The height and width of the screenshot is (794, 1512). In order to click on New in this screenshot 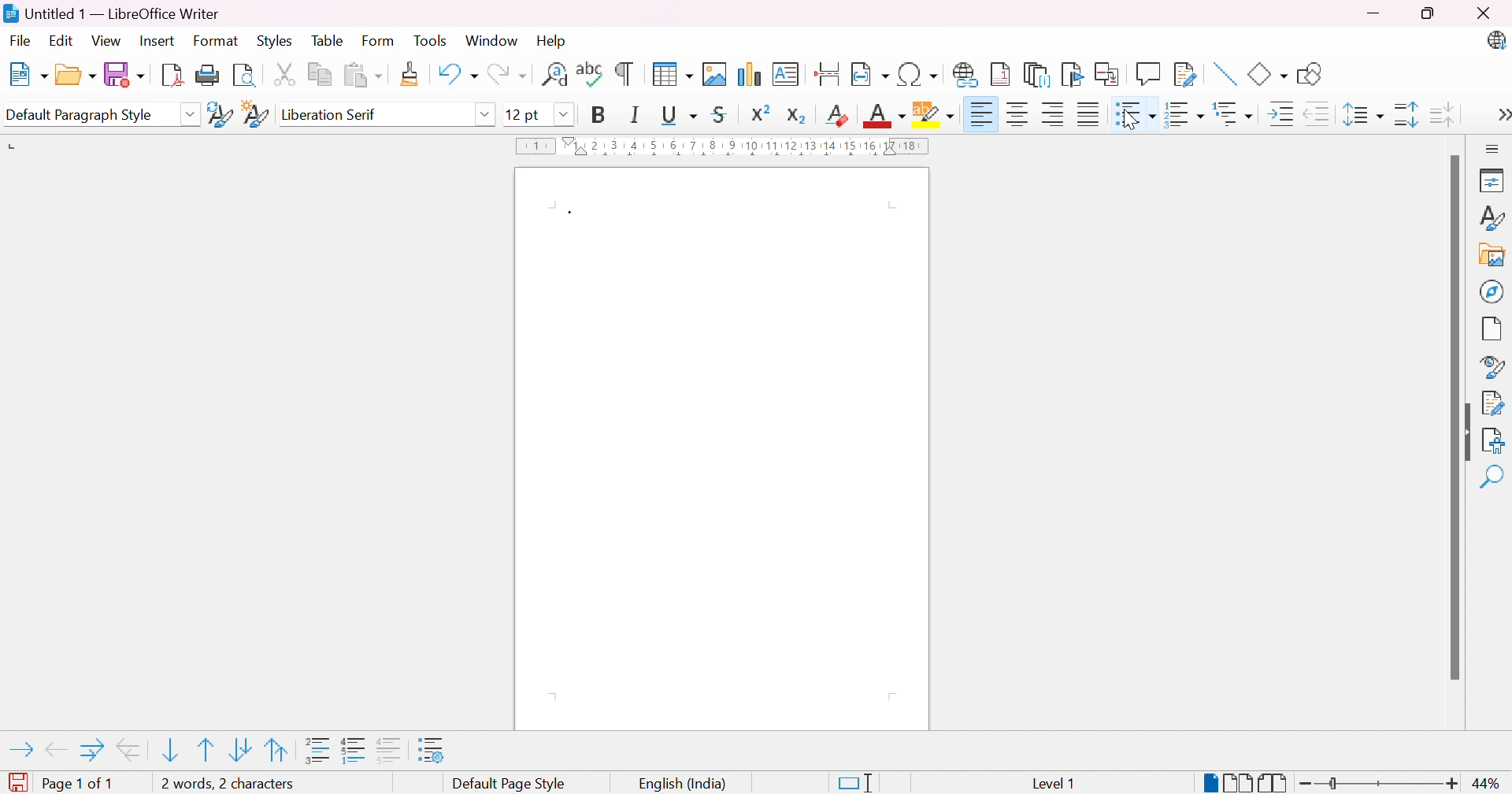, I will do `click(28, 72)`.